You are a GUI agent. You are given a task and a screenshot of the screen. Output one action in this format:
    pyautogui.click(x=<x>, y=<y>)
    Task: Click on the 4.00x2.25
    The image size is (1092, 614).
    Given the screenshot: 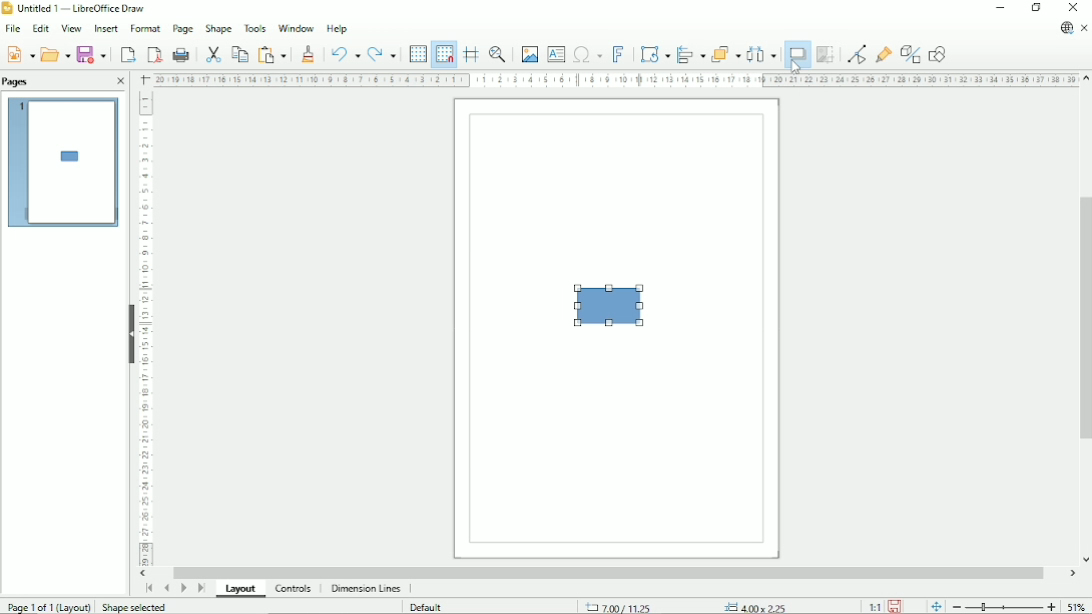 What is the action you would take?
    pyautogui.click(x=759, y=606)
    